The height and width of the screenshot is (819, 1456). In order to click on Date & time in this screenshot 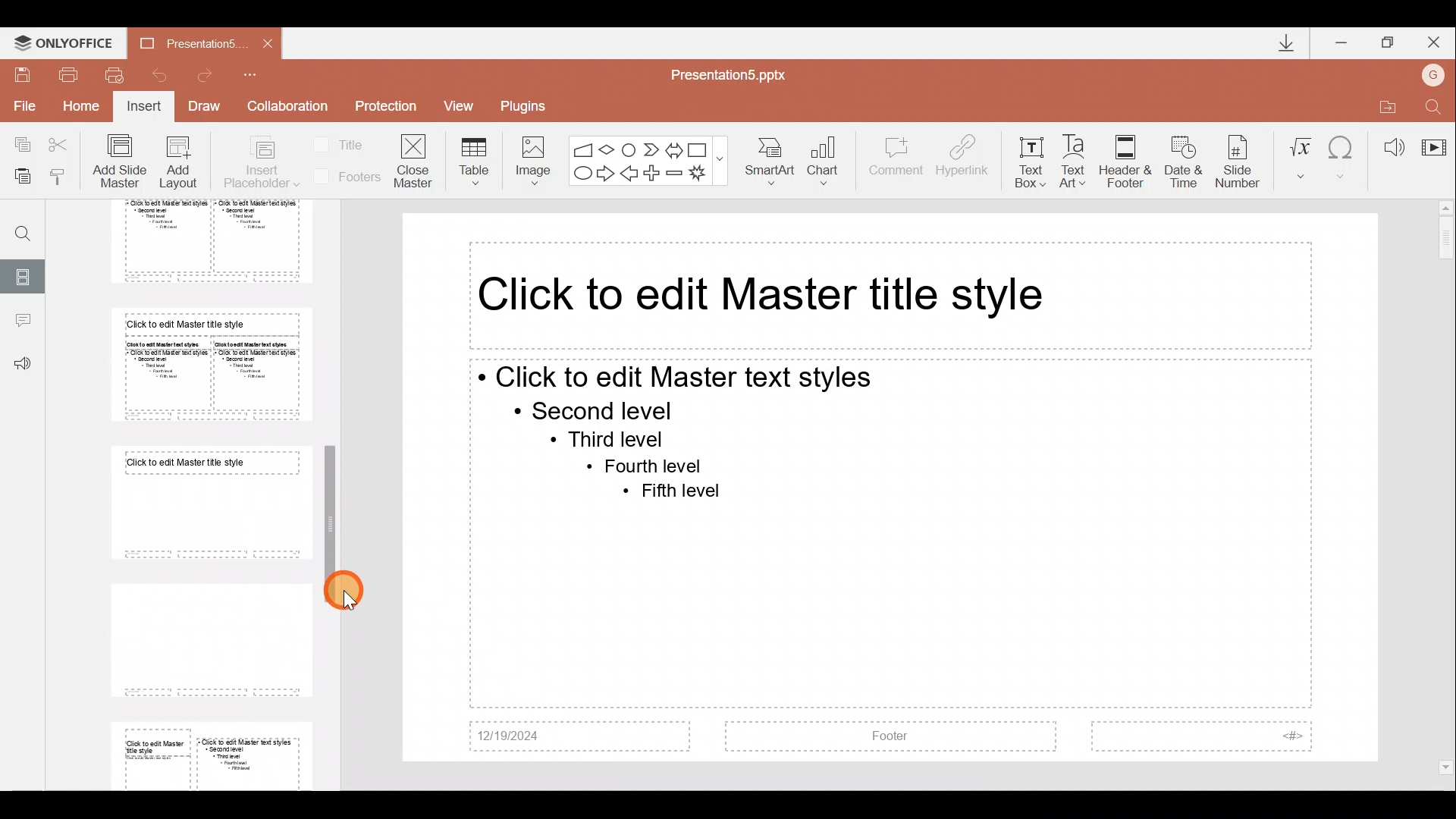, I will do `click(1180, 158)`.